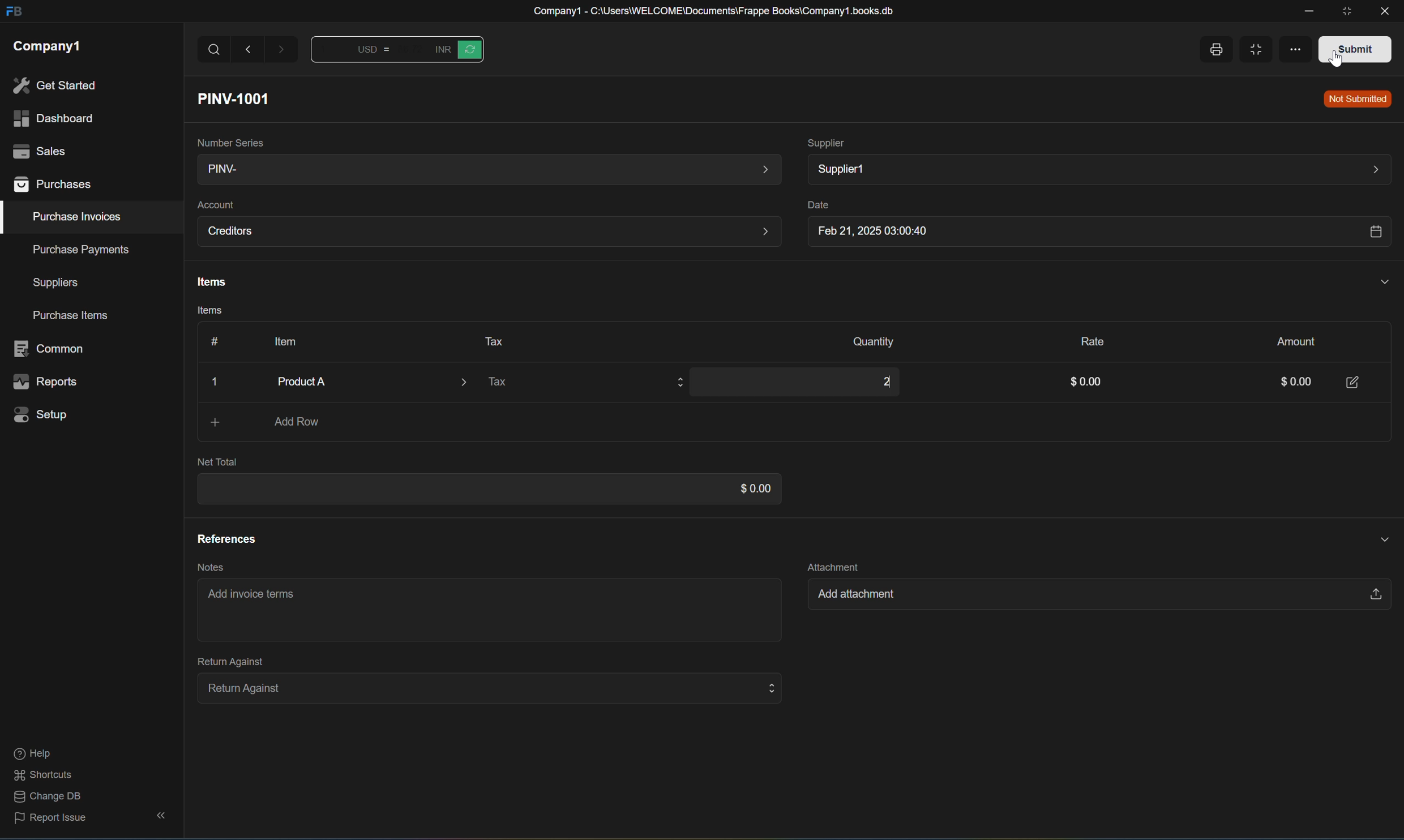  What do you see at coordinates (1086, 339) in the screenshot?
I see `Rate` at bounding box center [1086, 339].